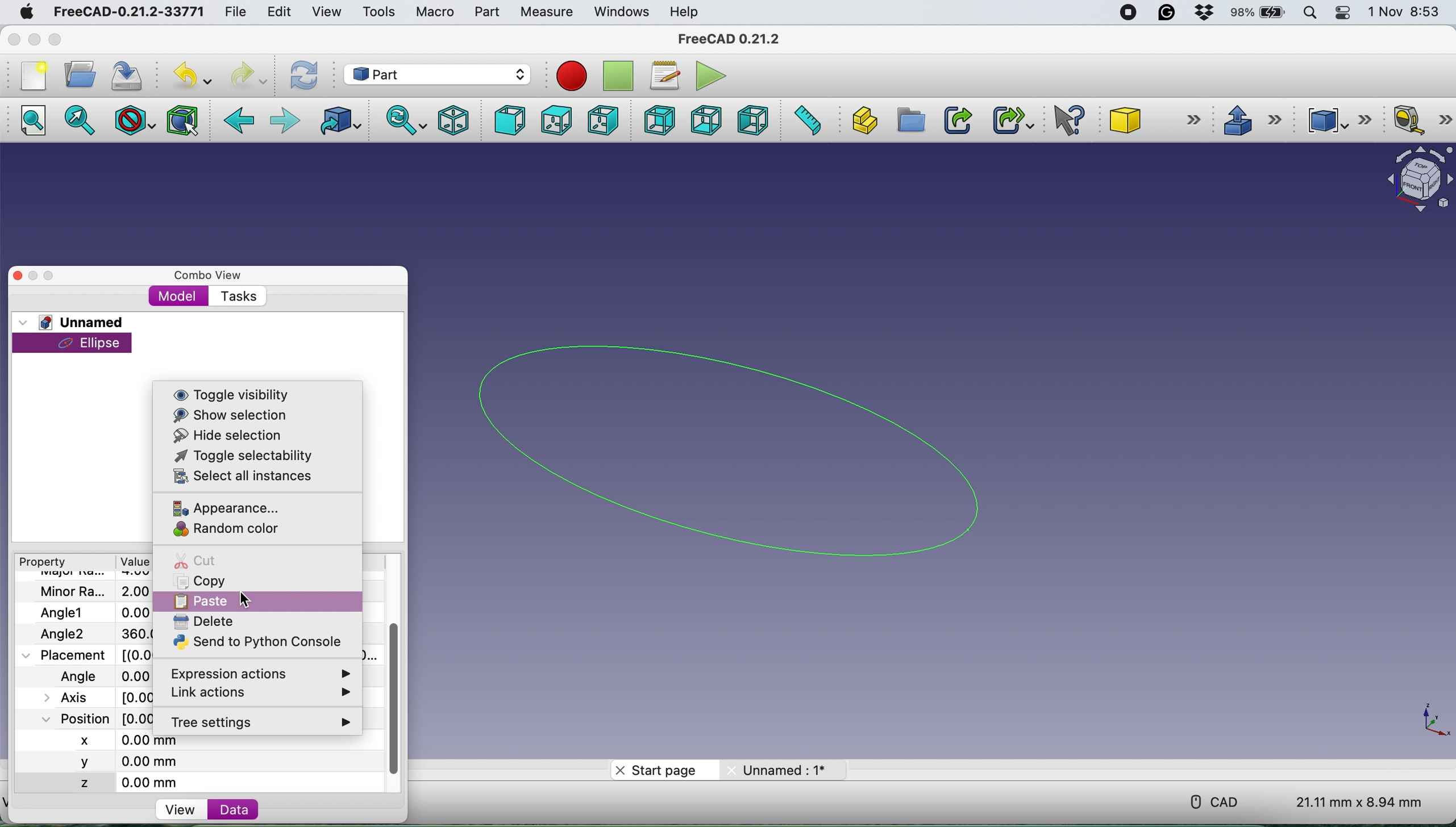 The image size is (1456, 827). I want to click on combo view, so click(207, 275).